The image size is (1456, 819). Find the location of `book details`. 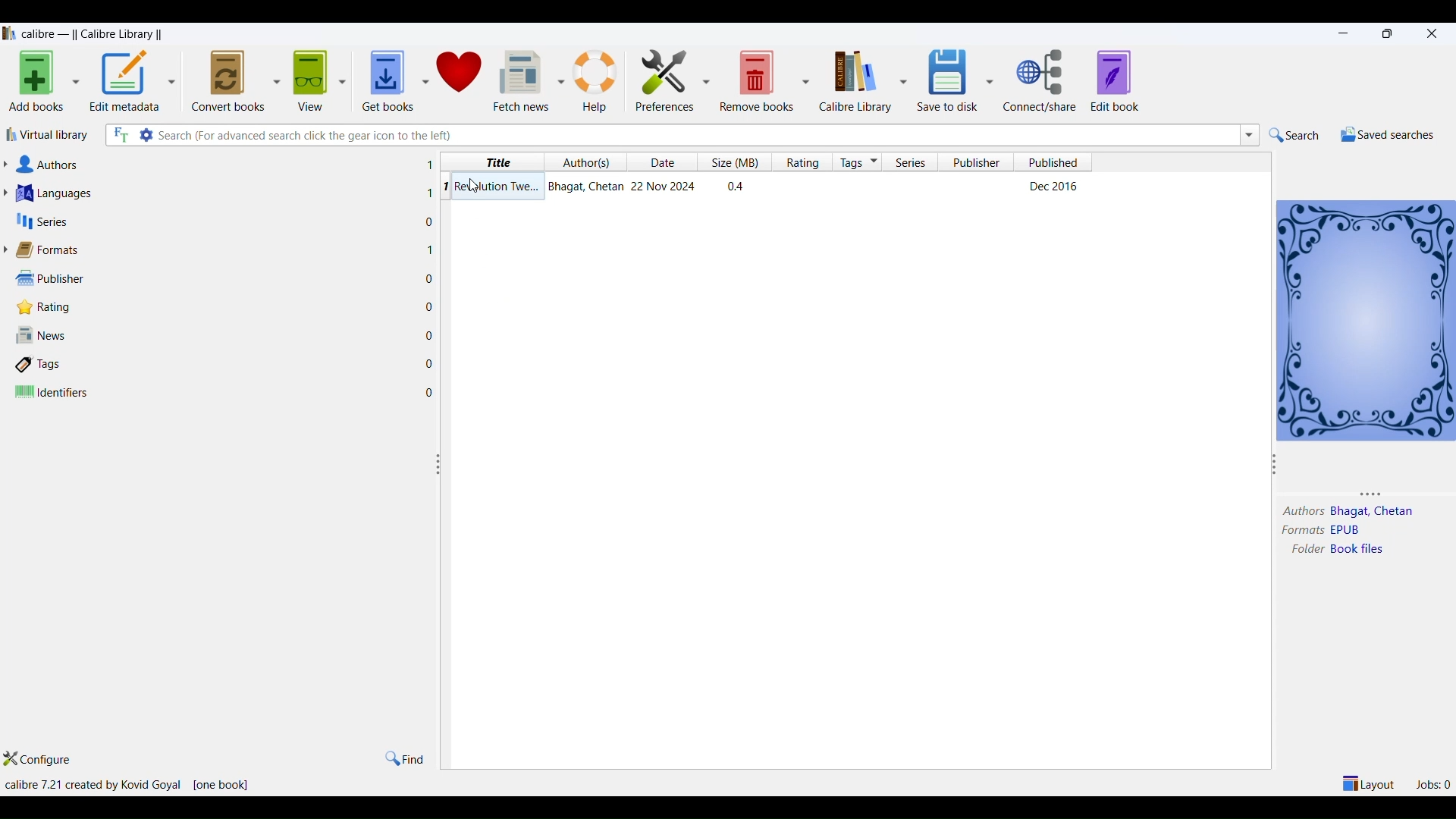

book details is located at coordinates (776, 187).